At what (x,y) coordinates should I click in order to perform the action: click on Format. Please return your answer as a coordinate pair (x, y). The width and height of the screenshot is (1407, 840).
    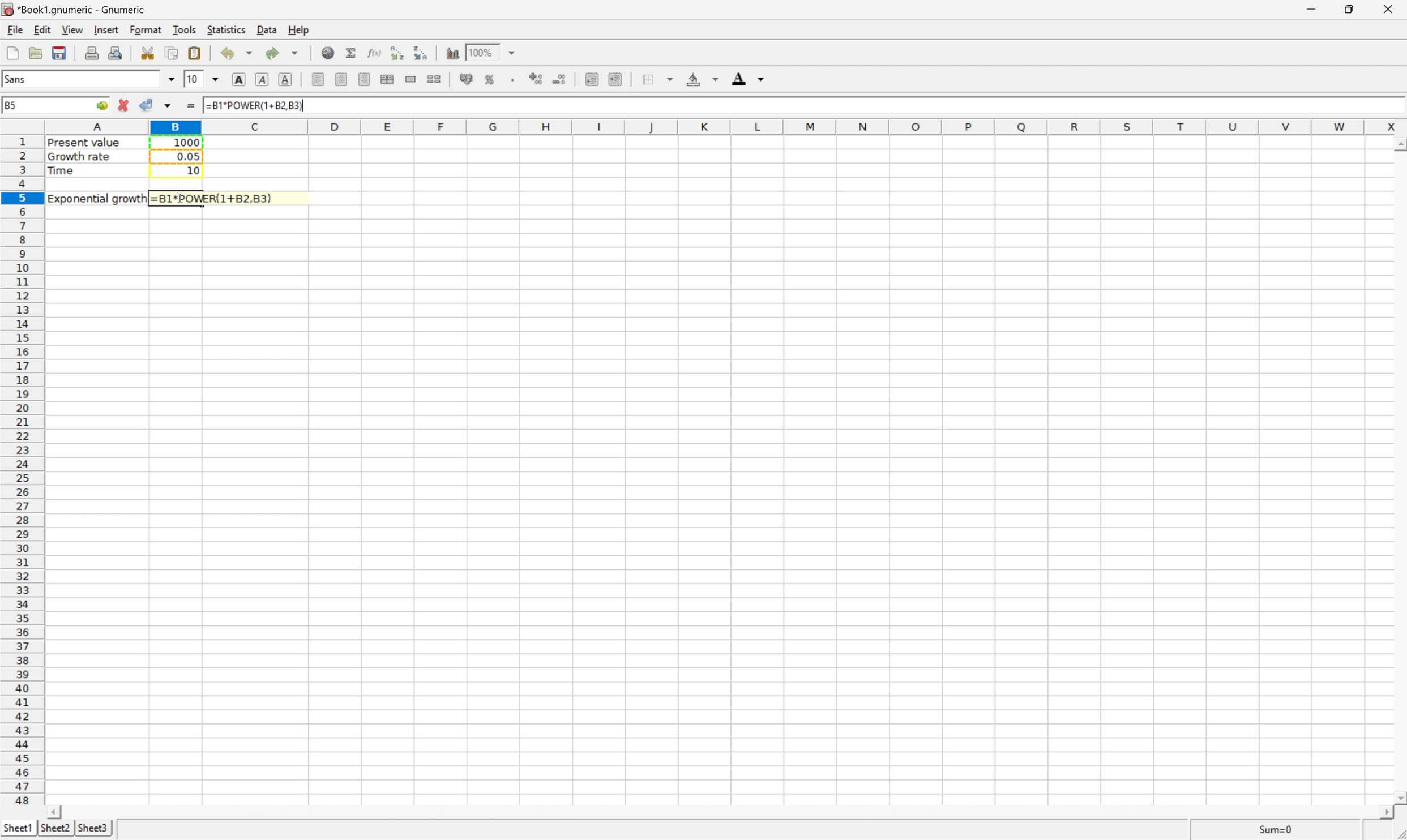
    Looking at the image, I should click on (144, 29).